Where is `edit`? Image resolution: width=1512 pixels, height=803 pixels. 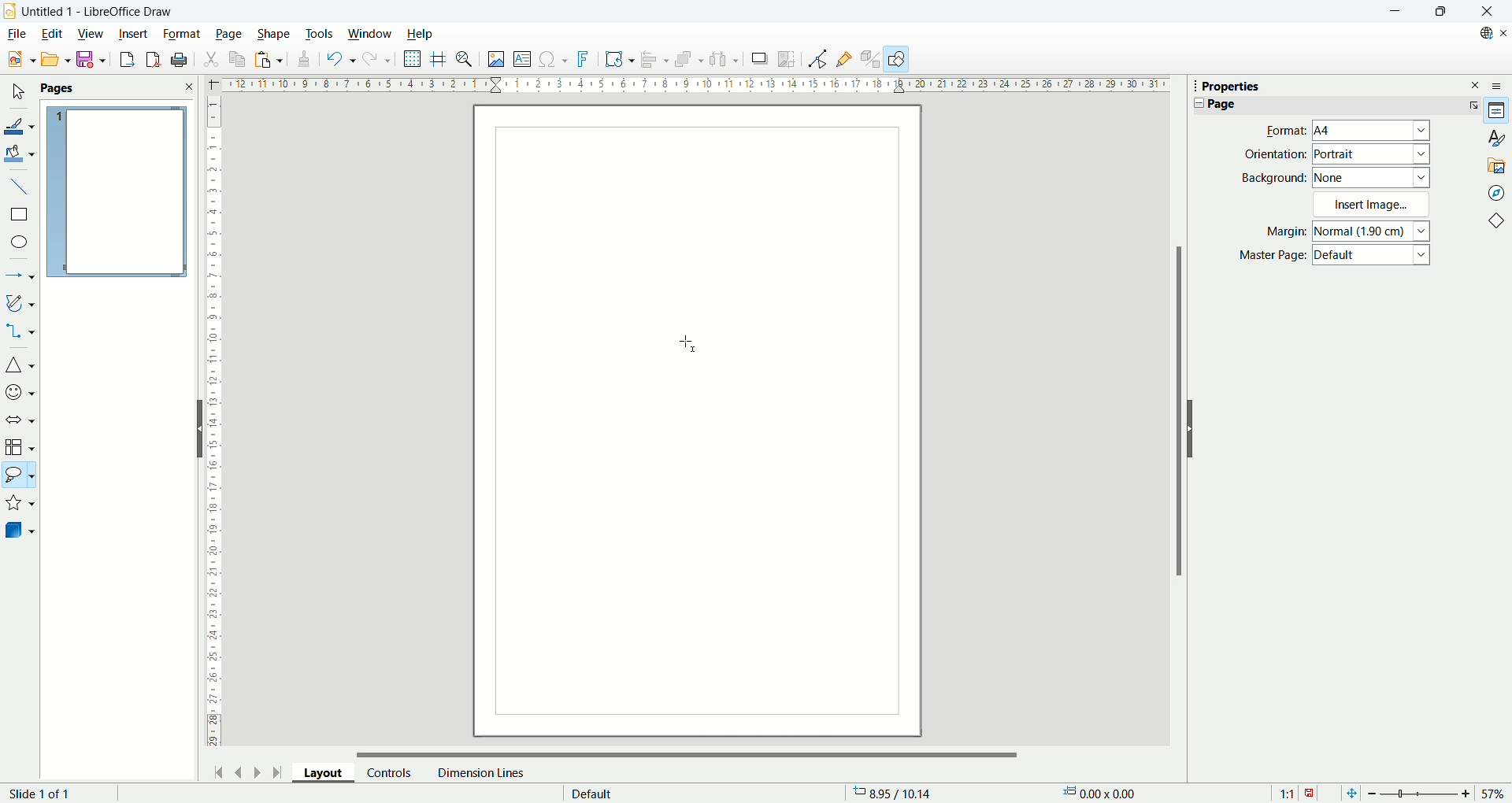
edit is located at coordinates (51, 35).